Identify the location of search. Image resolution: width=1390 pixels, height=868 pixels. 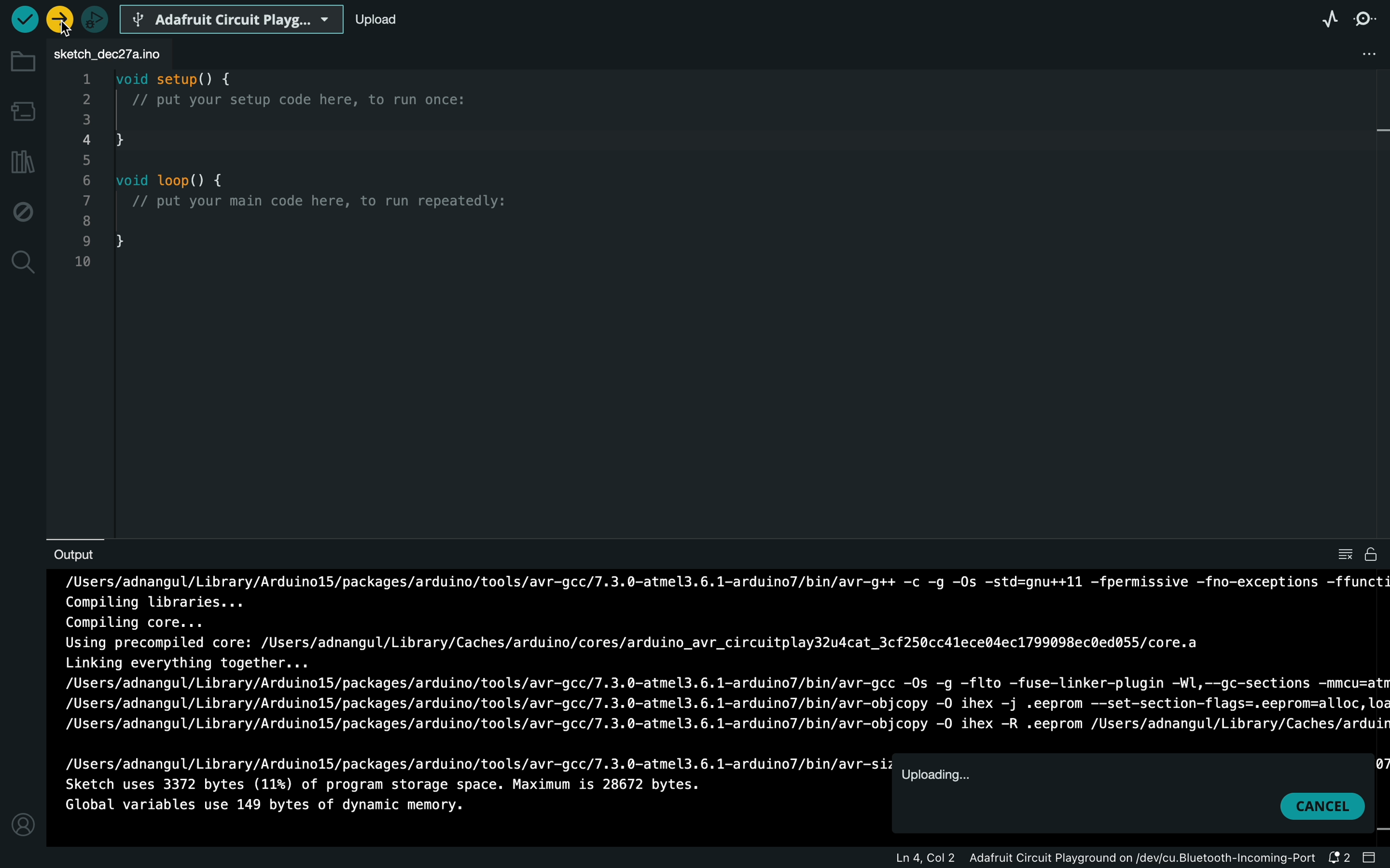
(22, 262).